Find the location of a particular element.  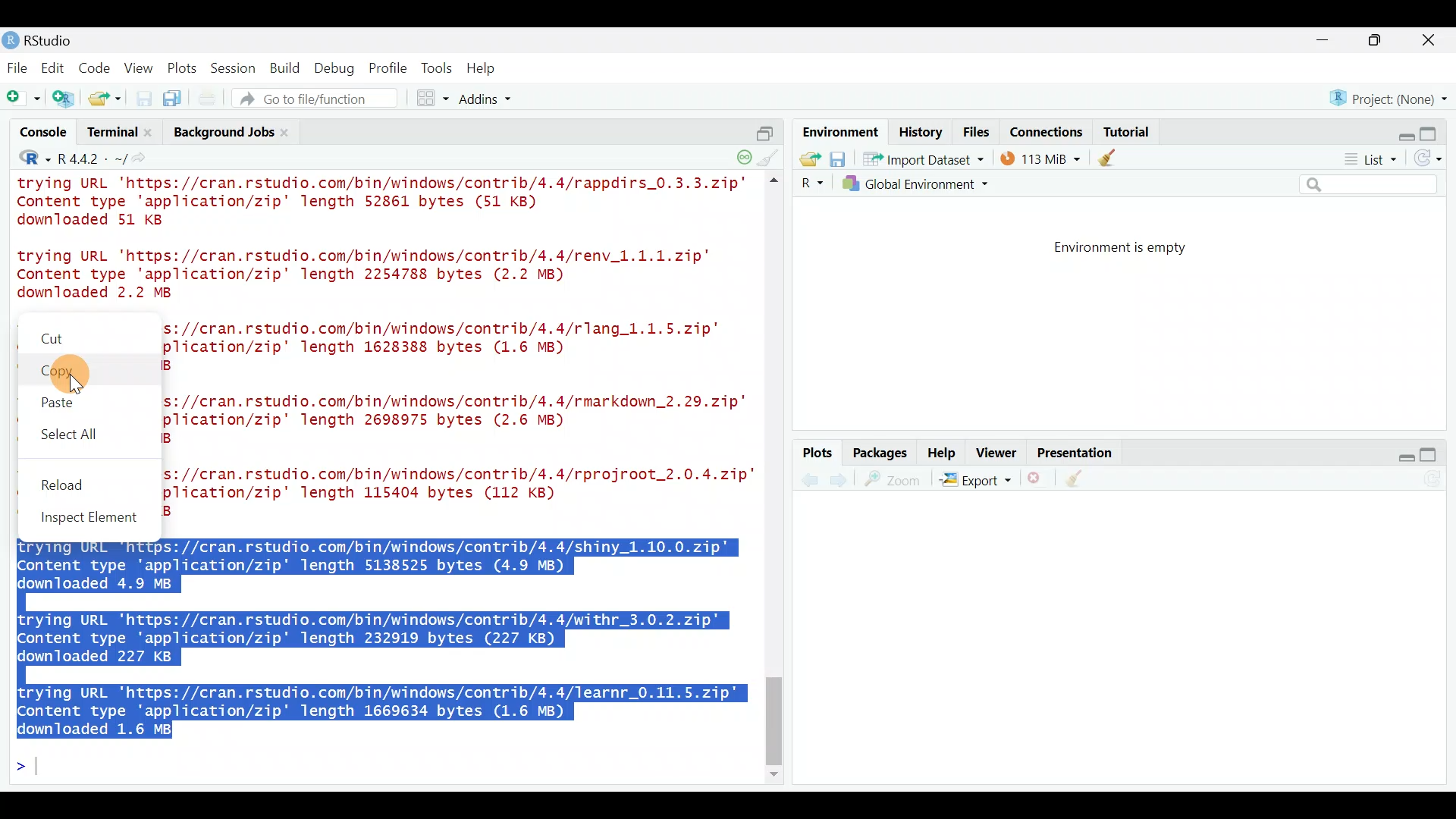

Restore down is located at coordinates (1398, 455).